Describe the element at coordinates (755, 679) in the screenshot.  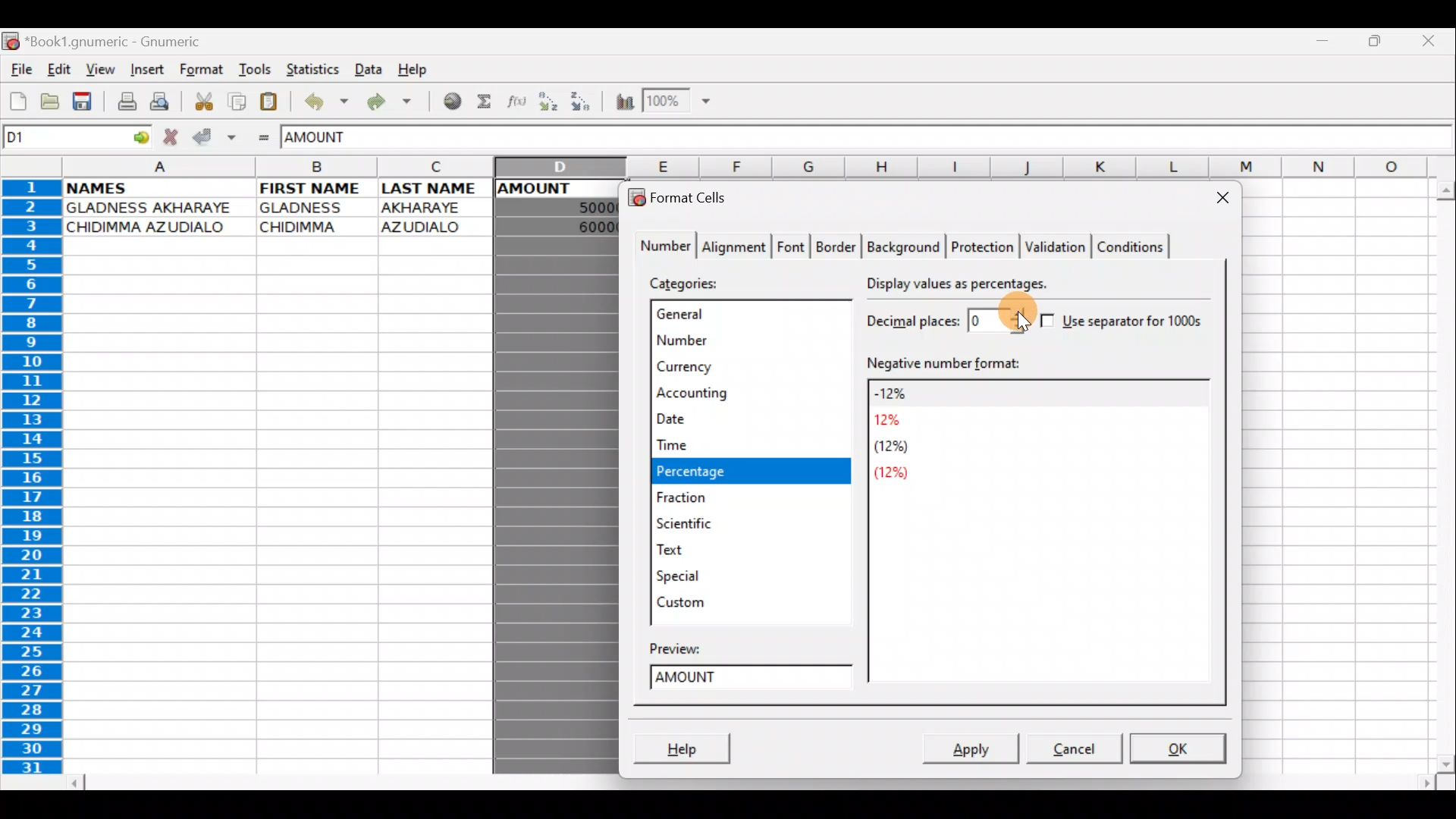
I see `Amount` at that location.